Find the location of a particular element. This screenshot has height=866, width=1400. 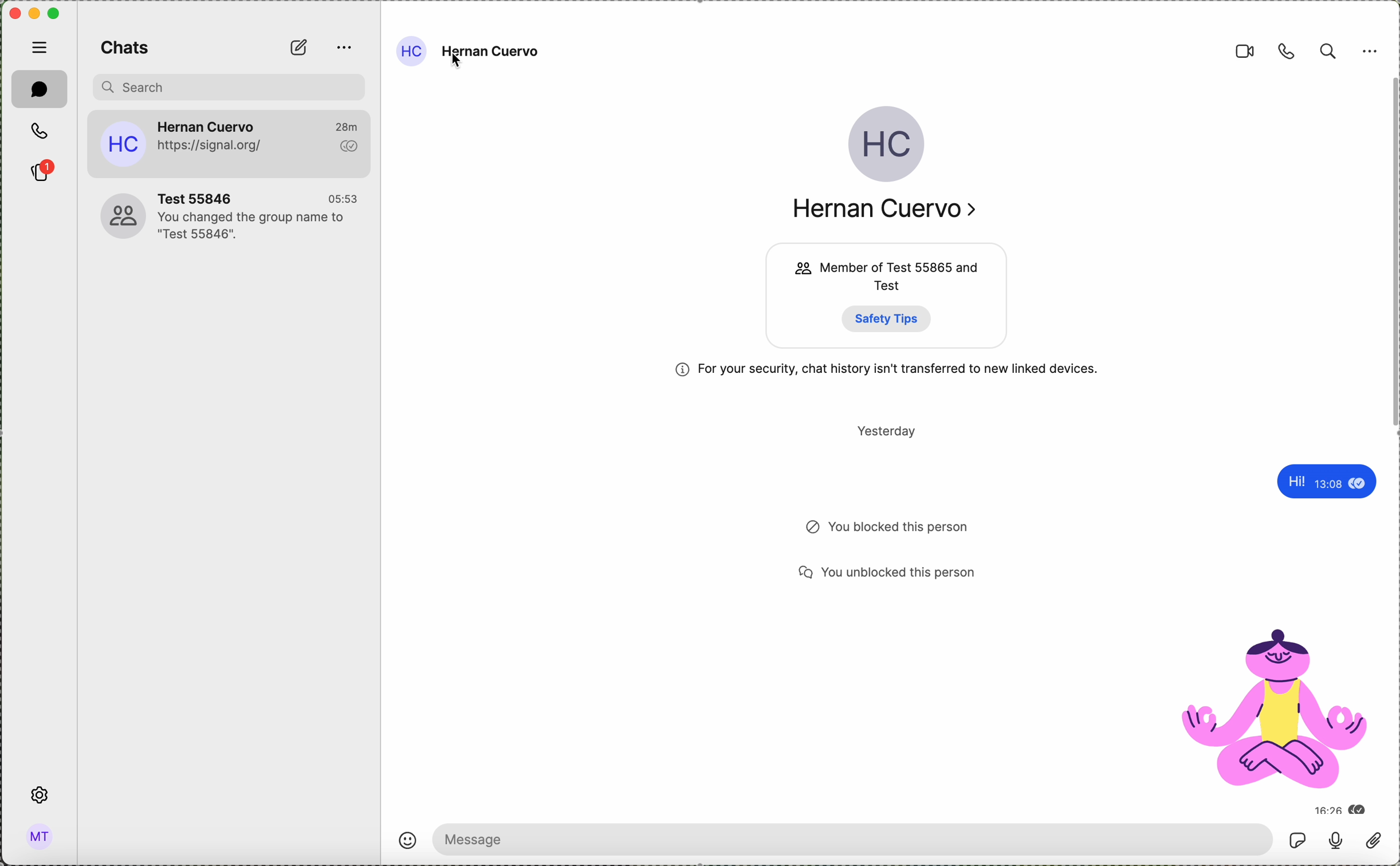

Member of Test 55865 and Test is located at coordinates (902, 276).